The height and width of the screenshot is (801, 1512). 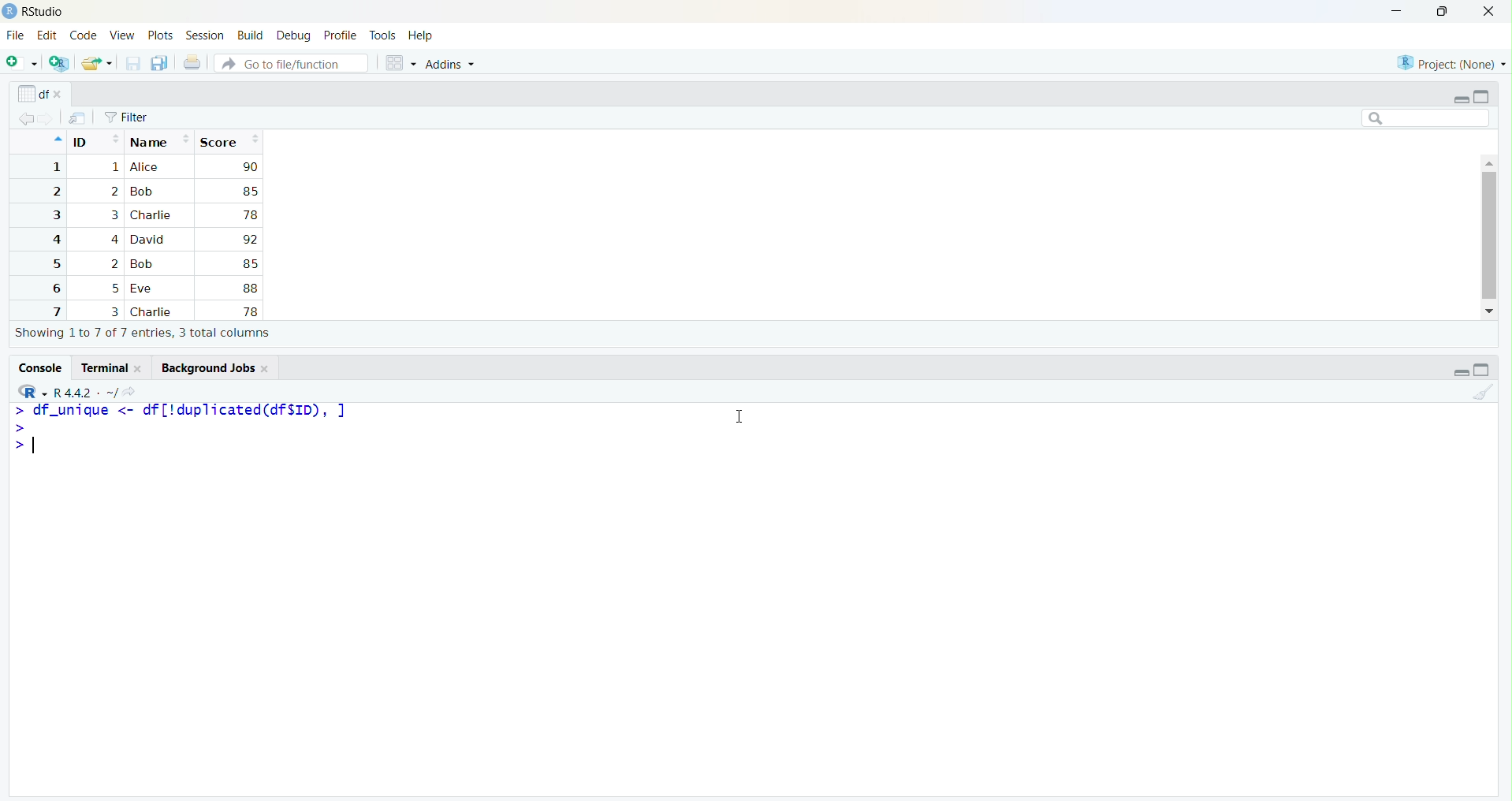 I want to click on search bar, so click(x=1426, y=117).